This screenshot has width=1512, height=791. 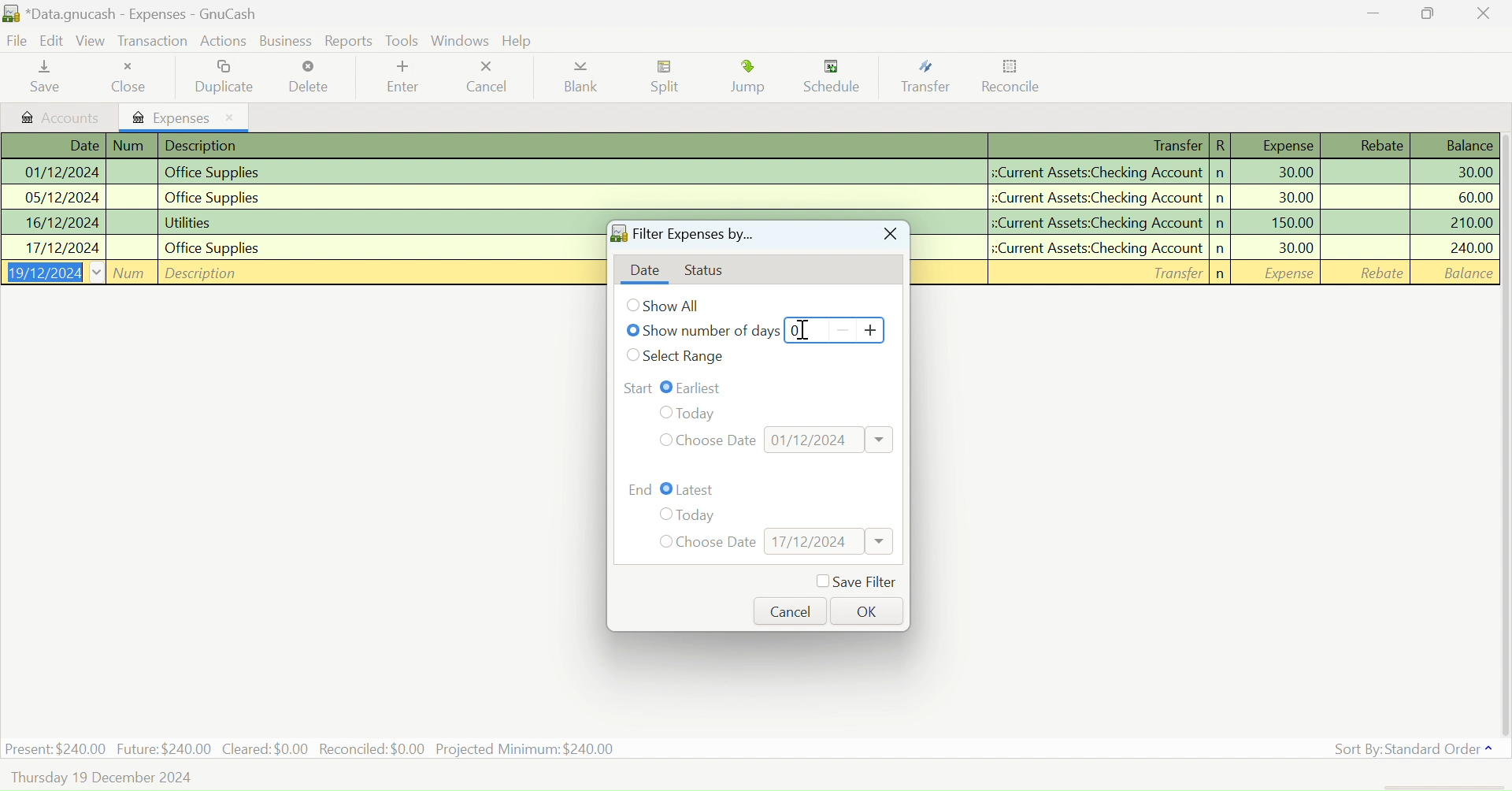 I want to click on Checkbox, so click(x=663, y=412).